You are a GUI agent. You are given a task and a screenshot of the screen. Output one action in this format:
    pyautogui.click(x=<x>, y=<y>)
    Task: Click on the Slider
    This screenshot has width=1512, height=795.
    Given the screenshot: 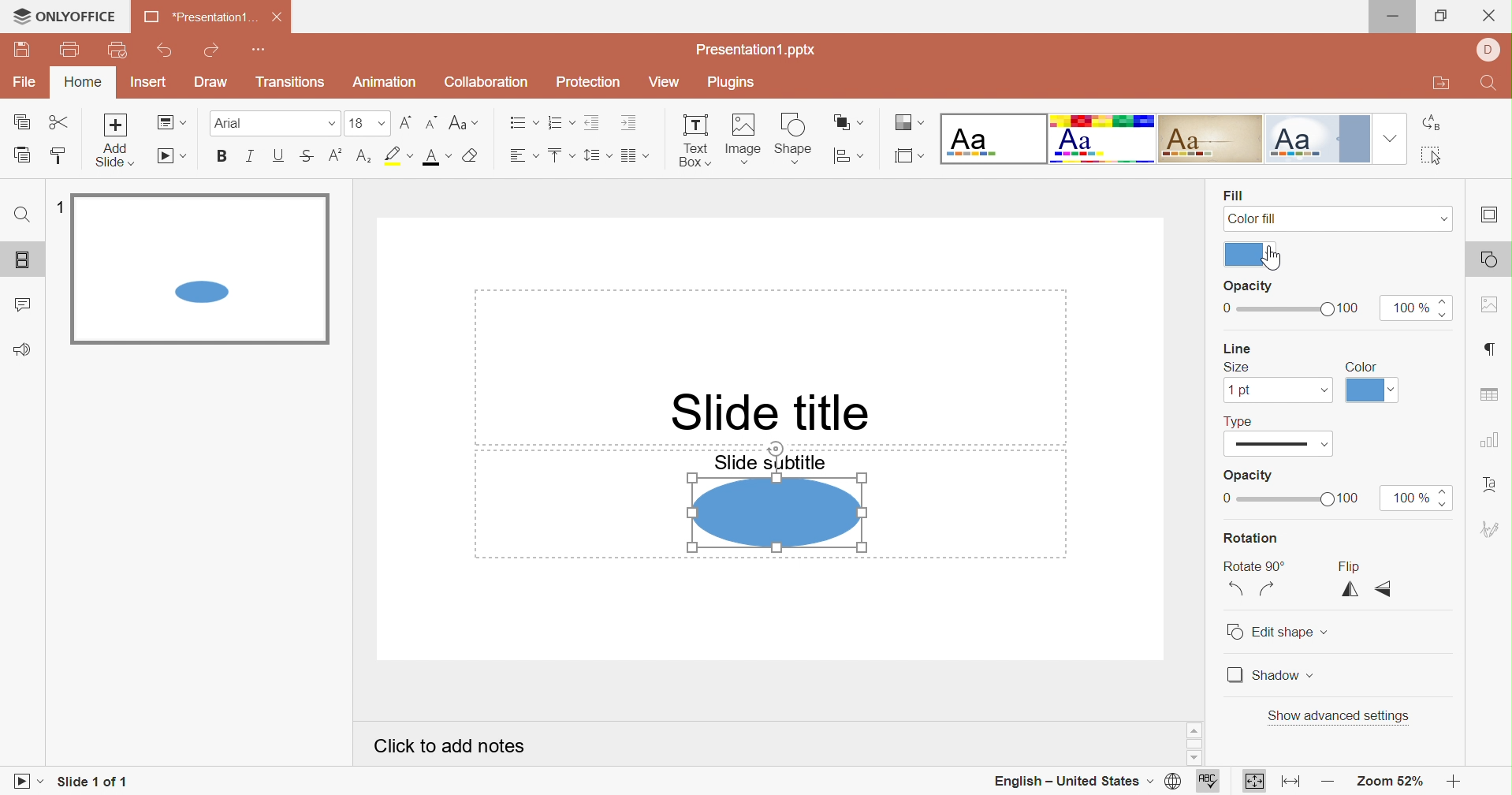 What is the action you would take?
    pyautogui.click(x=1285, y=500)
    